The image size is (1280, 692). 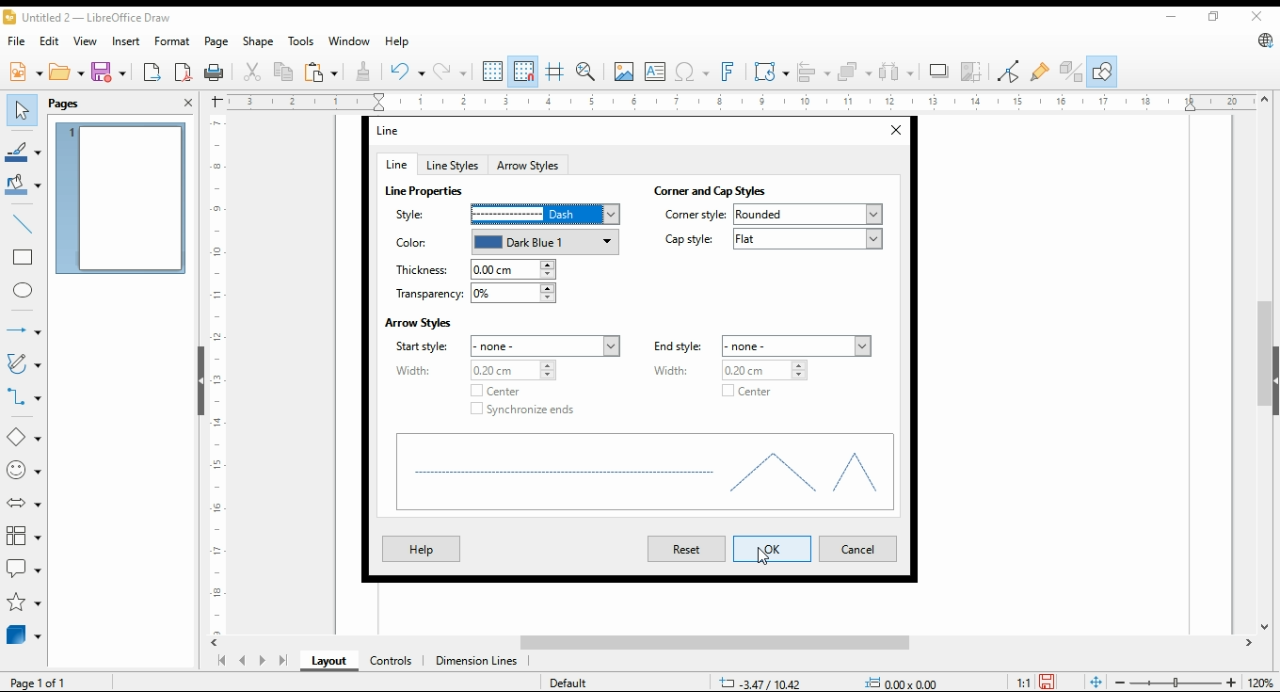 What do you see at coordinates (23, 150) in the screenshot?
I see `line color` at bounding box center [23, 150].